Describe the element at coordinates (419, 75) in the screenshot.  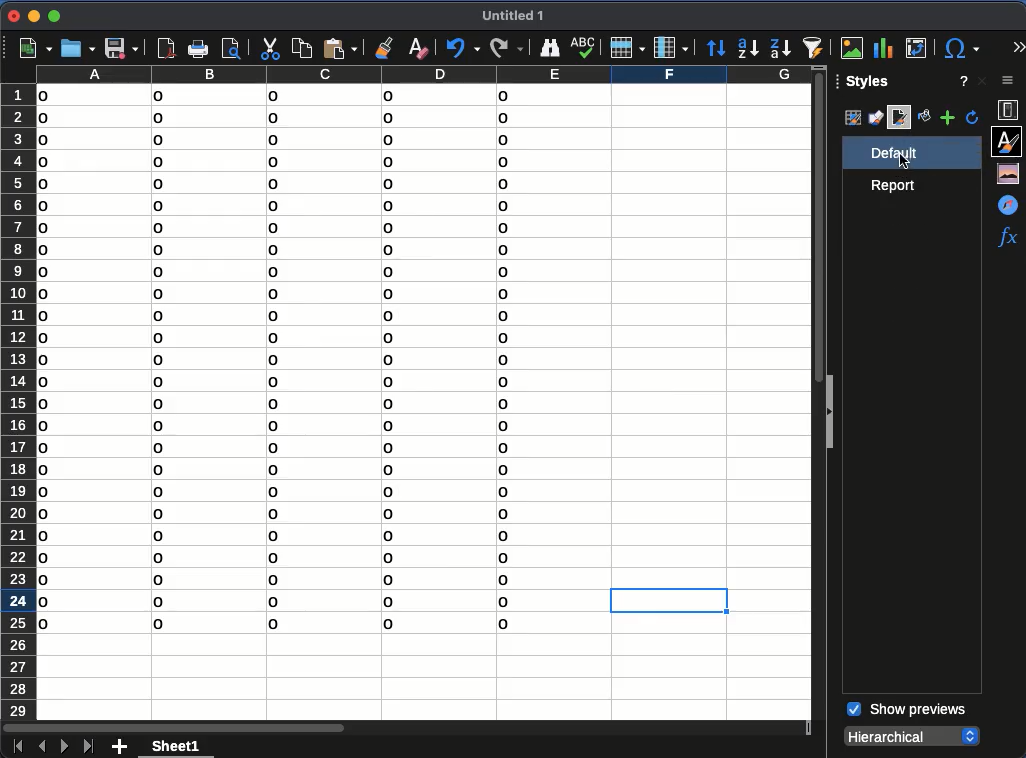
I see `columns` at that location.